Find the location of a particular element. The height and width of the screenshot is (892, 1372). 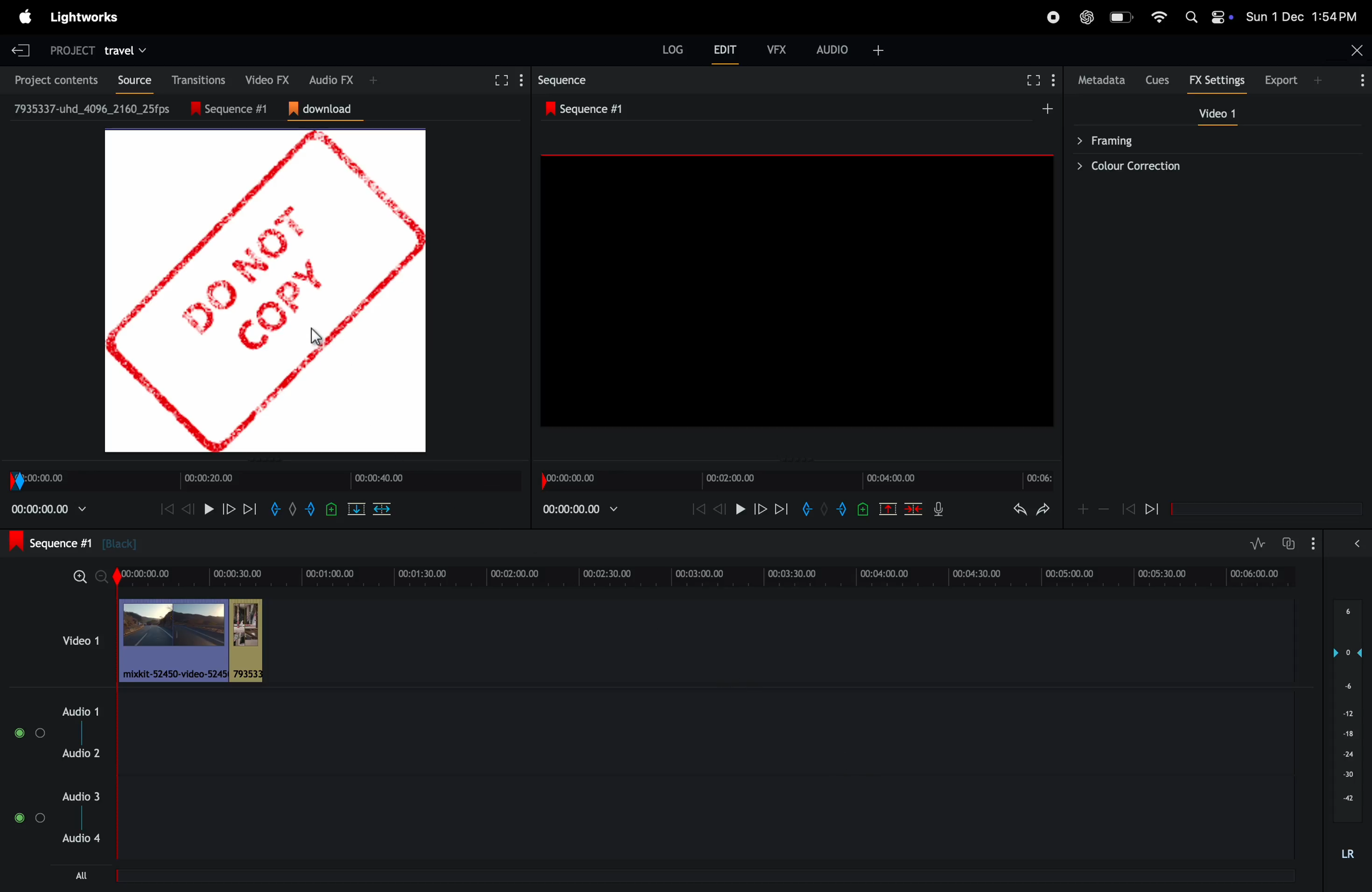

lightworks is located at coordinates (84, 17).